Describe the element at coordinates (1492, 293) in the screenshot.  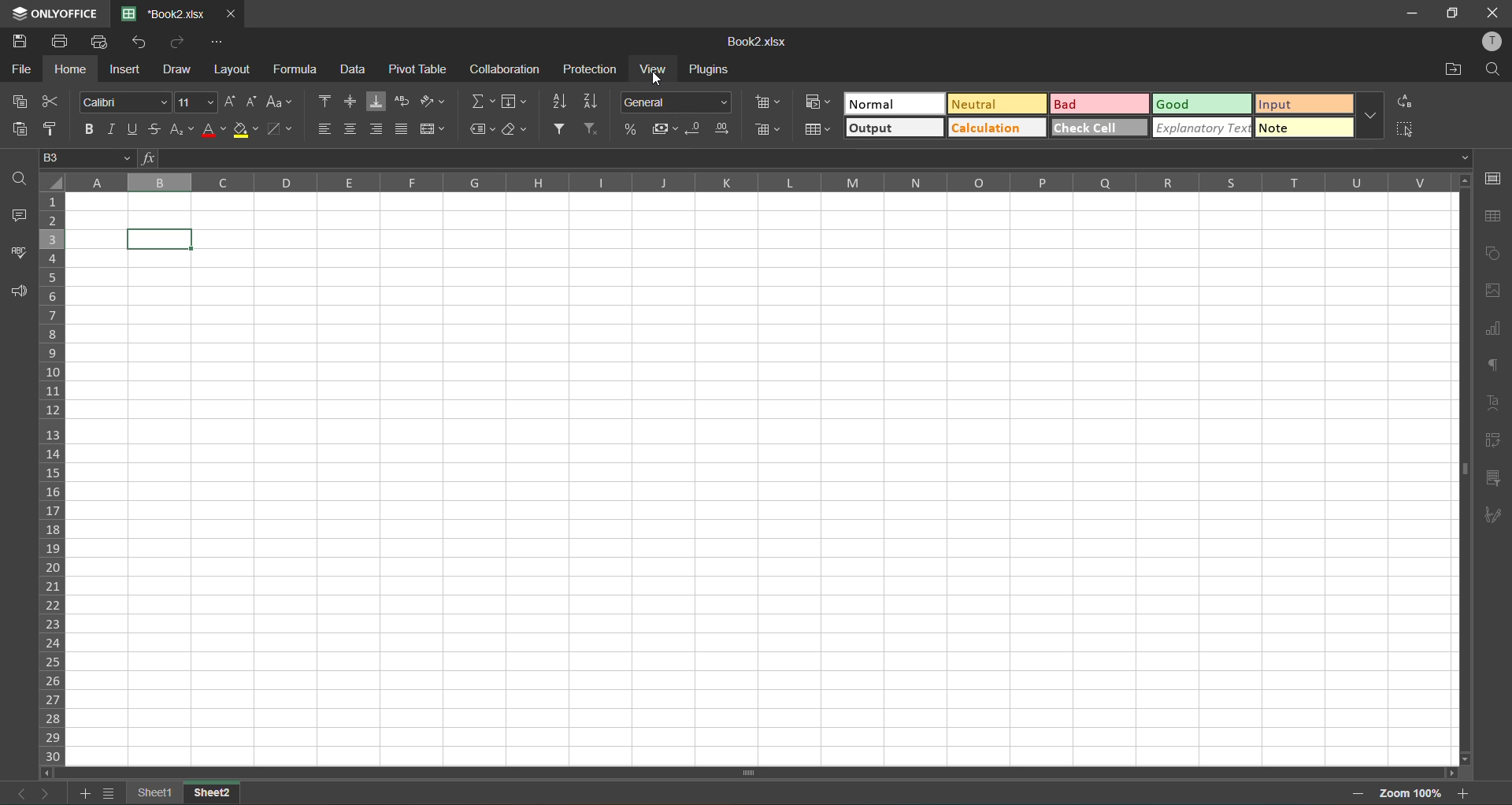
I see `images` at that location.